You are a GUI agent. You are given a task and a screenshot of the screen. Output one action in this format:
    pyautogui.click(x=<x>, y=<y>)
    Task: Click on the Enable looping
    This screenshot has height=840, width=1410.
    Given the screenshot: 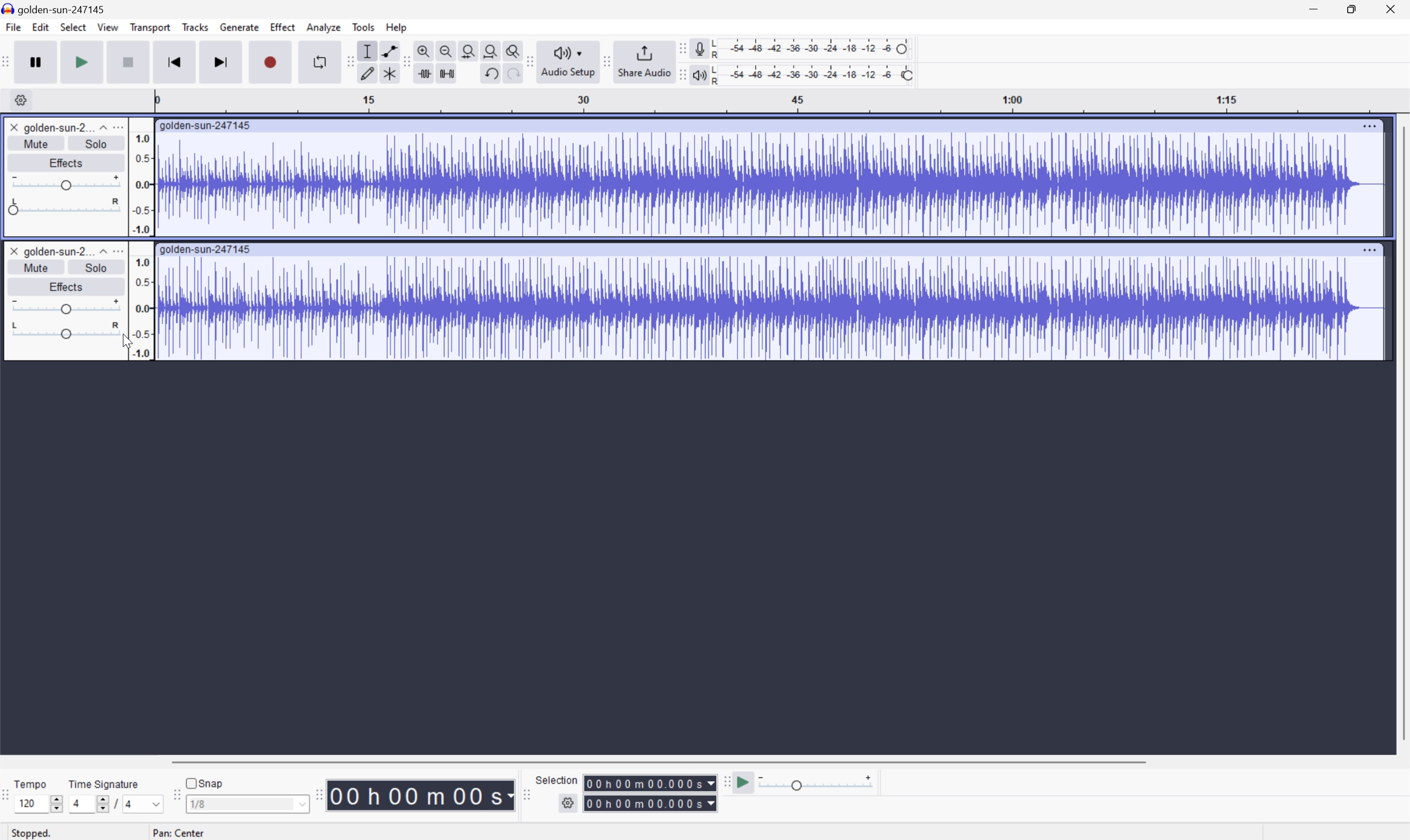 What is the action you would take?
    pyautogui.click(x=318, y=60)
    